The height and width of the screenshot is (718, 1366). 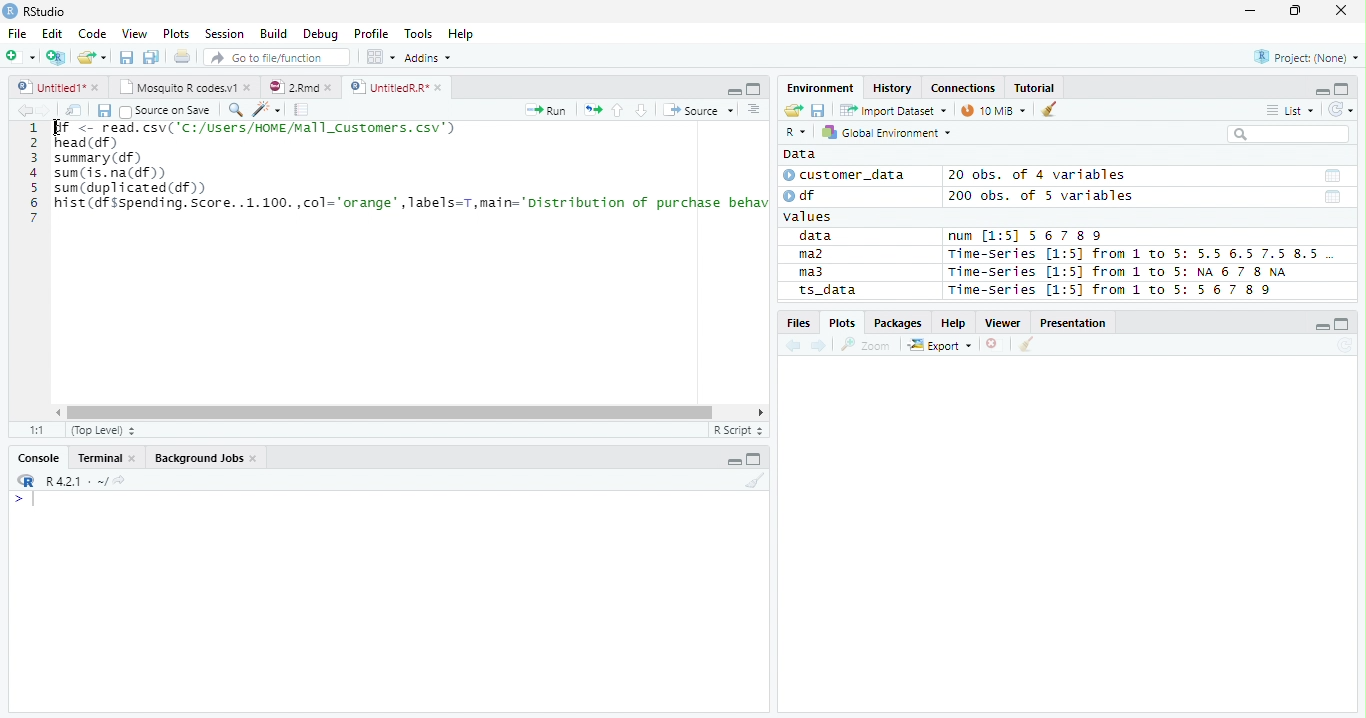 I want to click on Save, so click(x=103, y=110).